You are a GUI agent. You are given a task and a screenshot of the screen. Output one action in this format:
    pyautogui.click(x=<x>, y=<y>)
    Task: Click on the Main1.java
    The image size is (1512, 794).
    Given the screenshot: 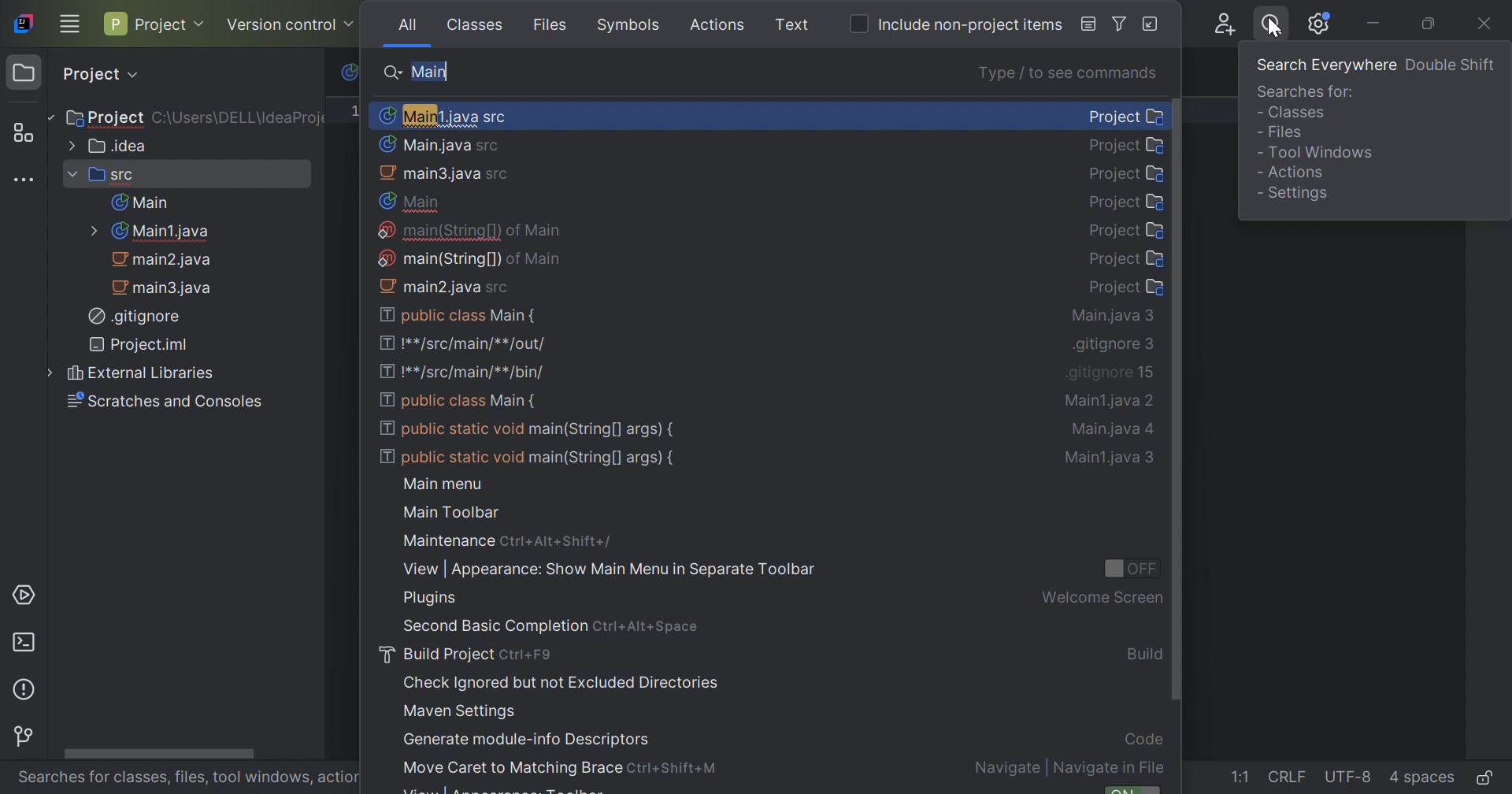 What is the action you would take?
    pyautogui.click(x=149, y=232)
    